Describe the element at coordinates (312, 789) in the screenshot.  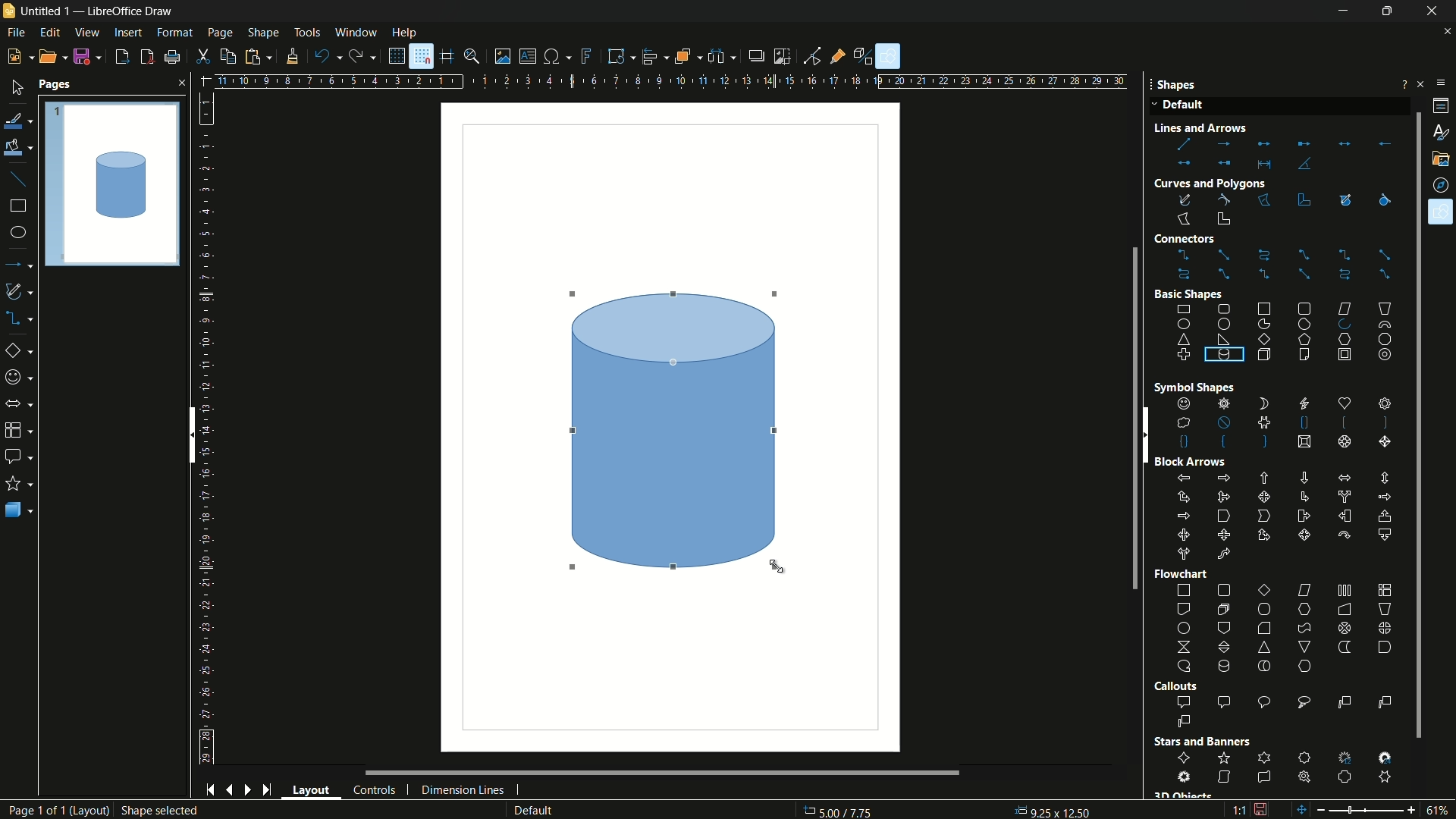
I see `layout` at that location.